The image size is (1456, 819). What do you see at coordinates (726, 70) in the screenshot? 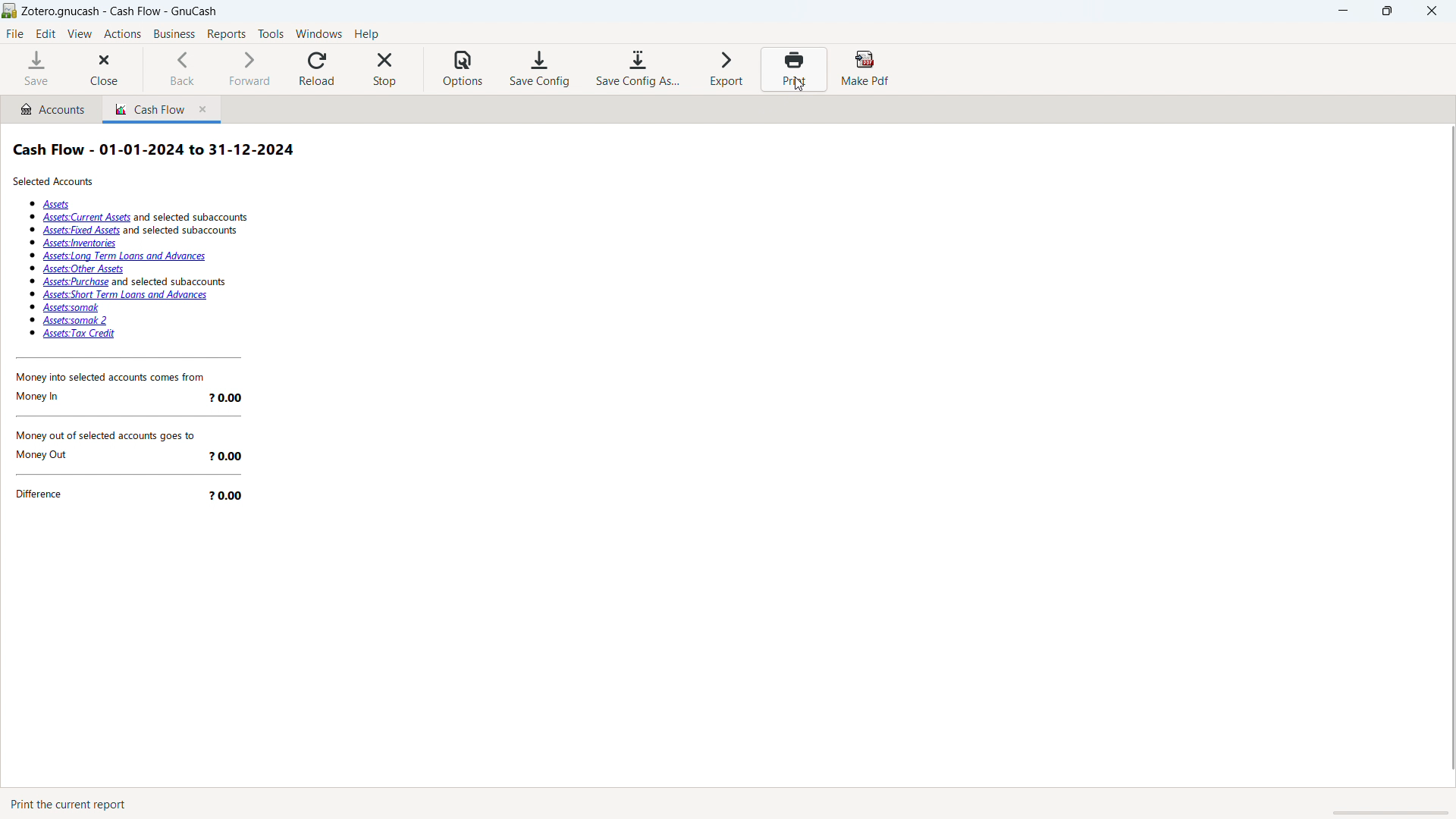
I see `export` at bounding box center [726, 70].